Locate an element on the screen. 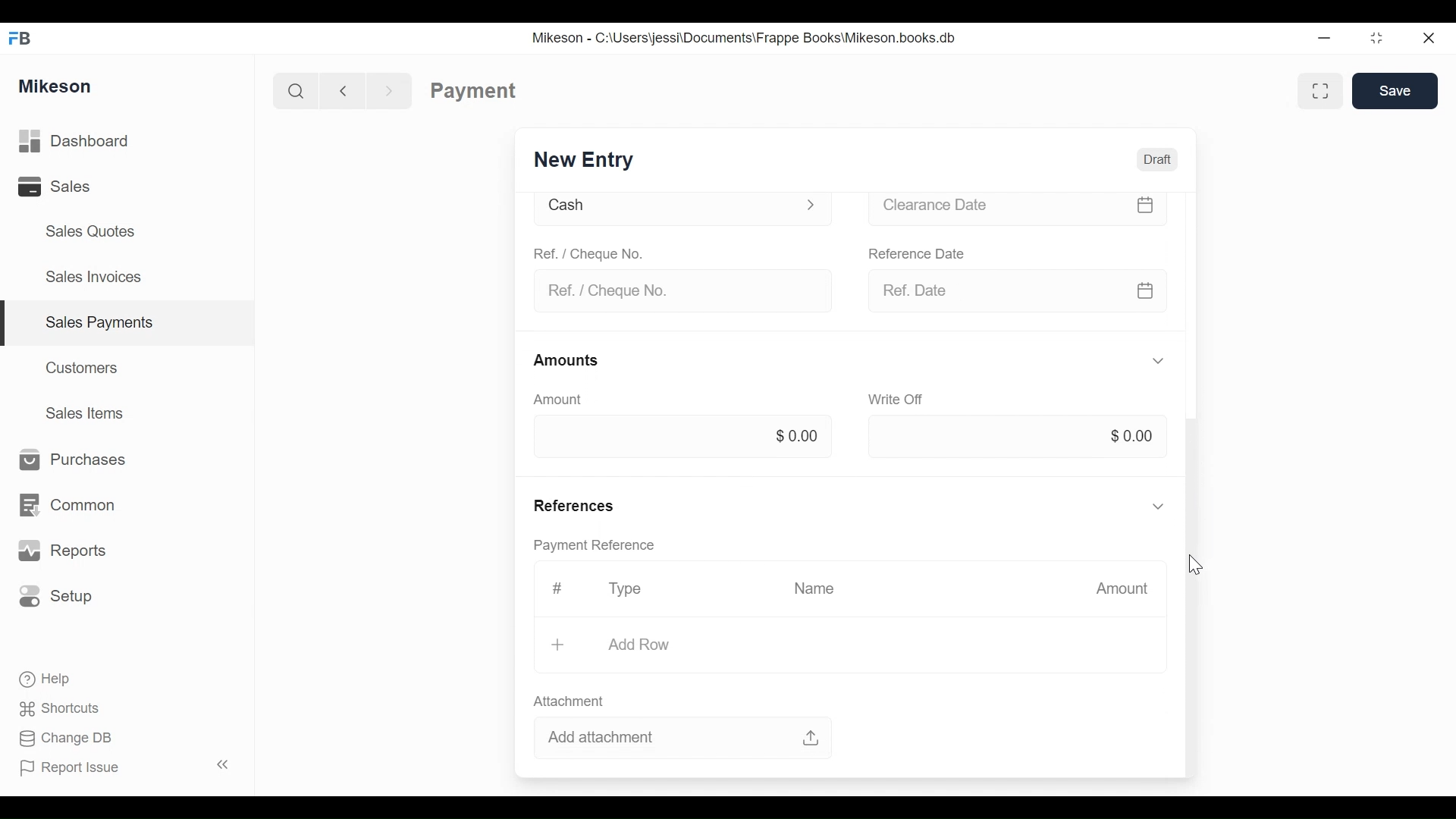 This screenshot has width=1456, height=819. Sales Items is located at coordinates (92, 414).